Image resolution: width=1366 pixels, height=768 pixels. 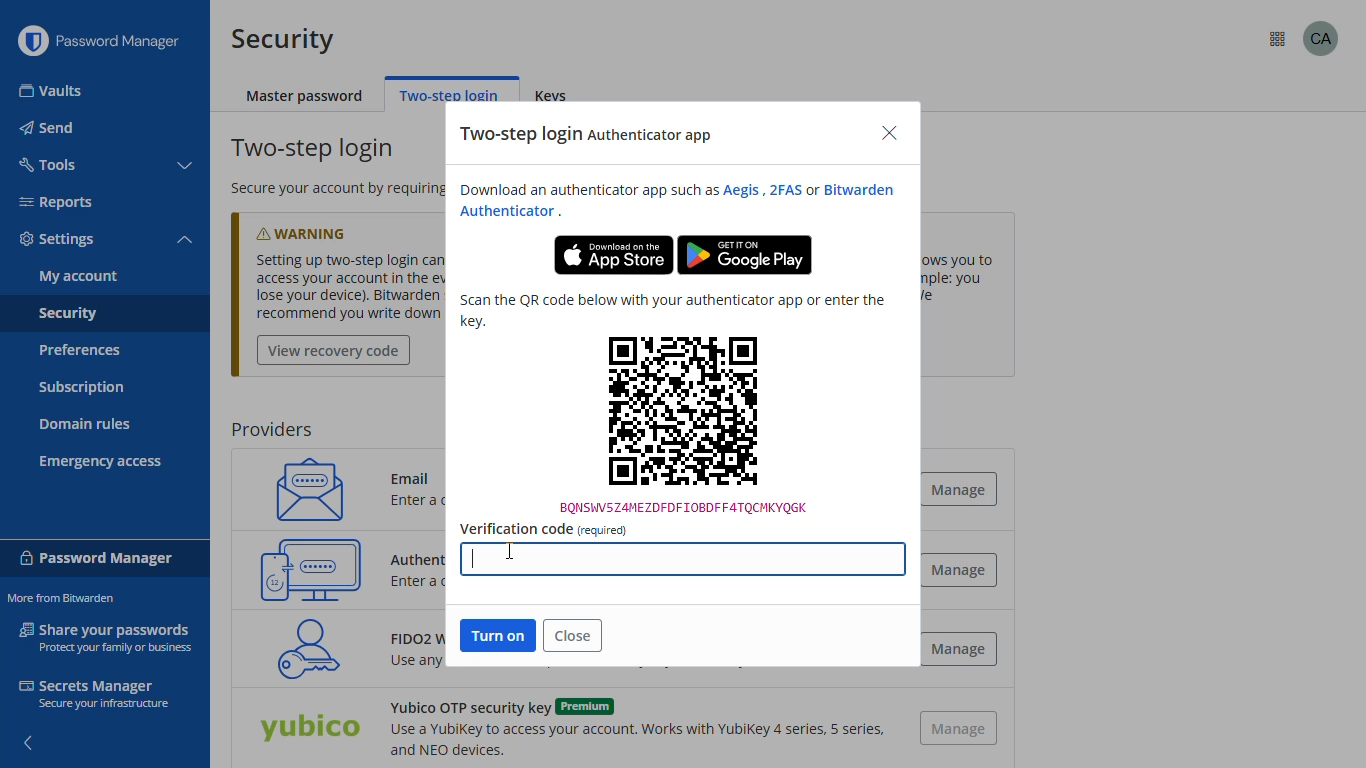 I want to click on preferences, so click(x=78, y=350).